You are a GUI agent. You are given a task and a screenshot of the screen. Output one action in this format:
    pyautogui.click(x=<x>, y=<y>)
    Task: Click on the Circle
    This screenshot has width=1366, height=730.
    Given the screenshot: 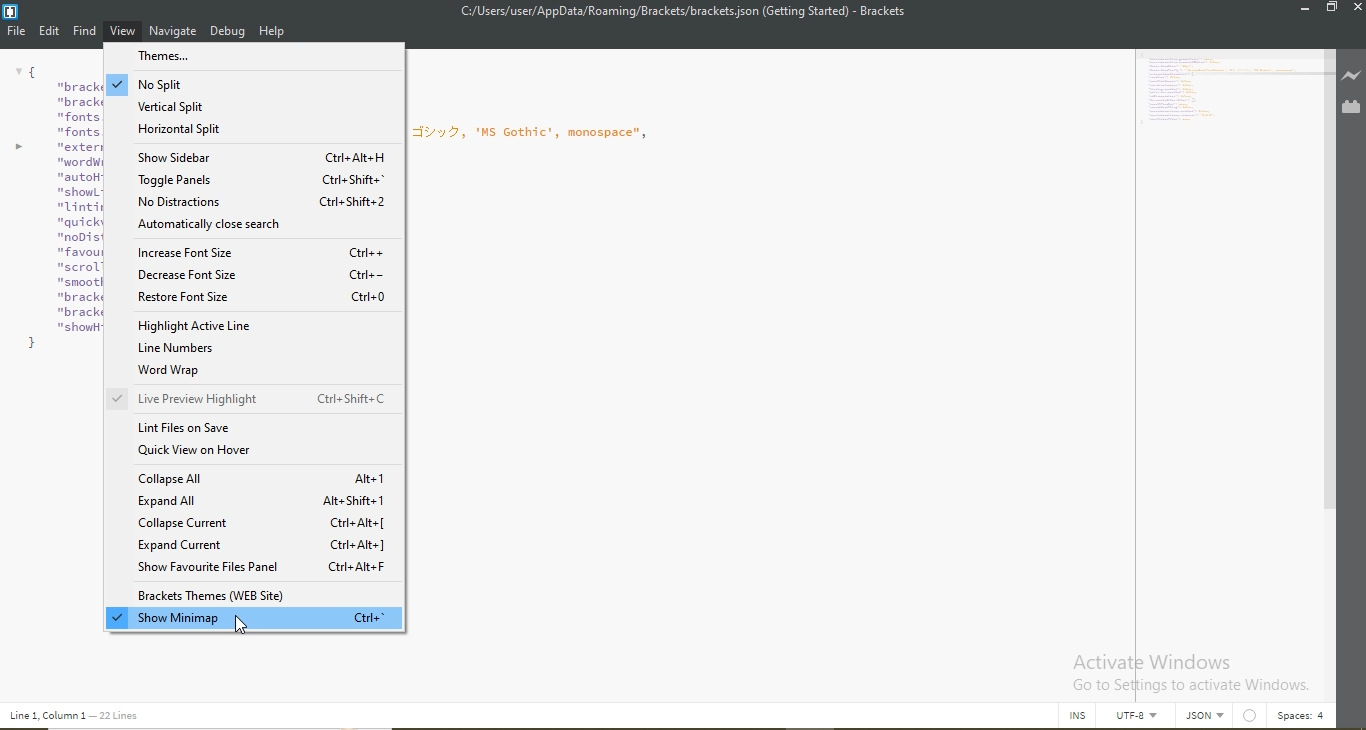 What is the action you would take?
    pyautogui.click(x=1252, y=716)
    